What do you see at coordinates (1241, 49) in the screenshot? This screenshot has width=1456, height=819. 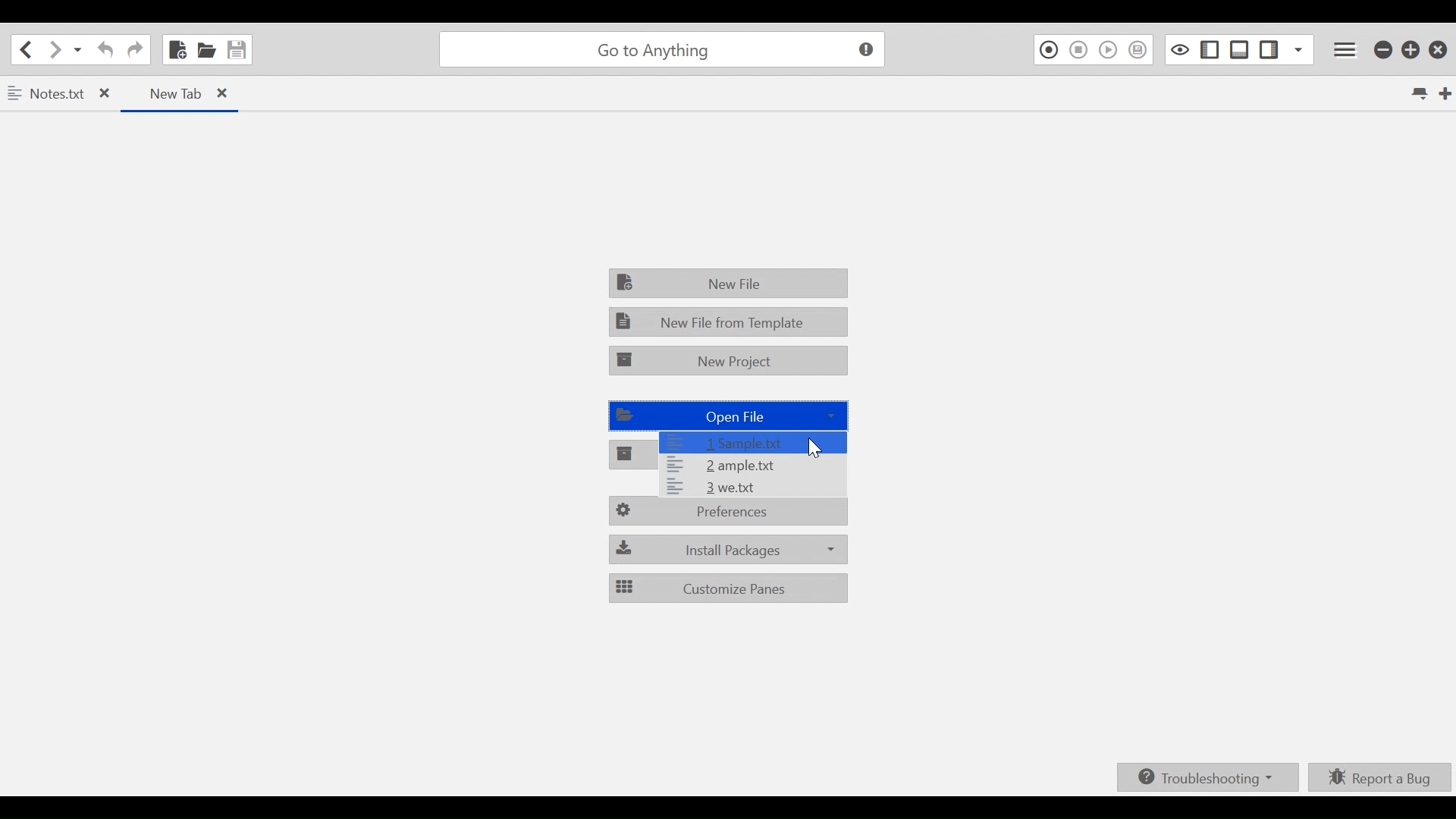 I see `Show/Hide Bottom Pane` at bounding box center [1241, 49].